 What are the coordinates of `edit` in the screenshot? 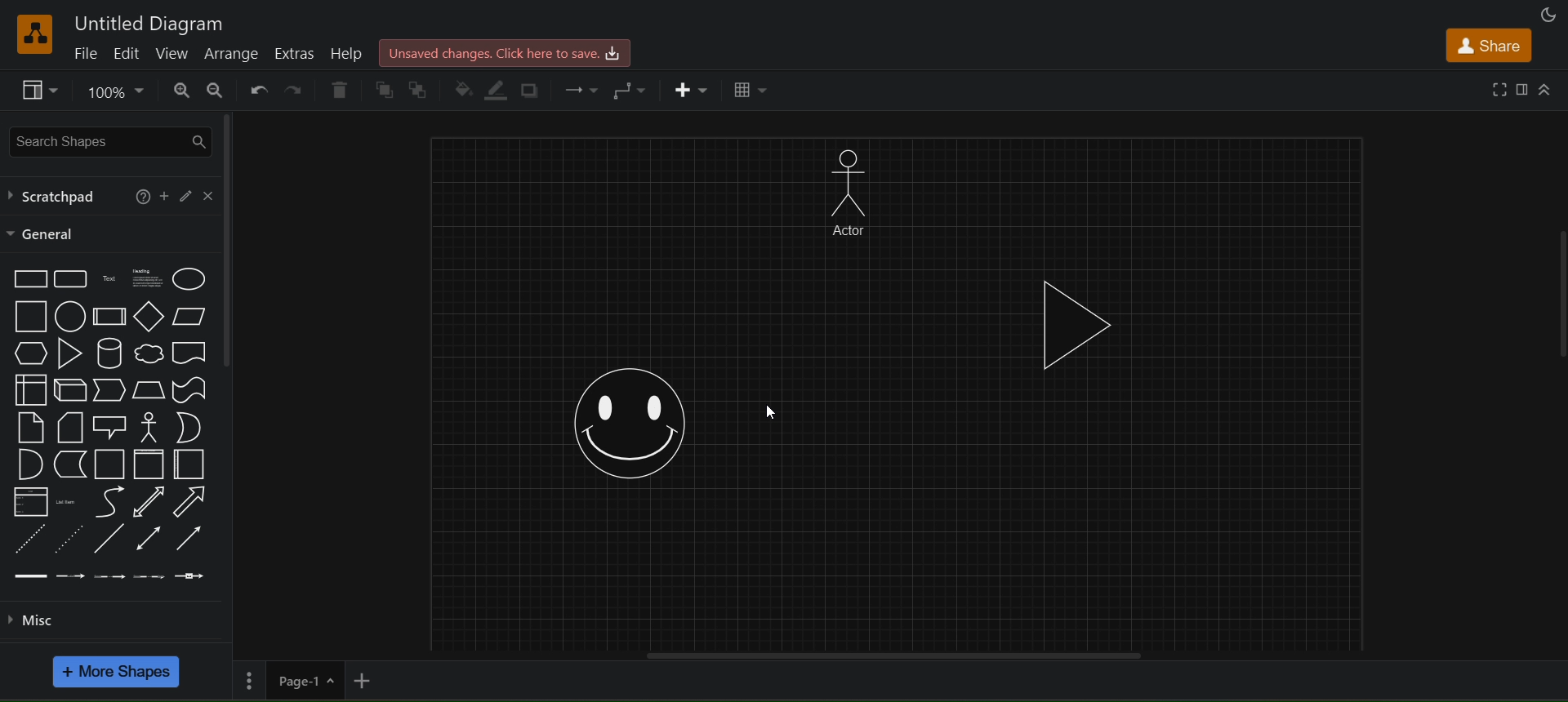 It's located at (126, 54).